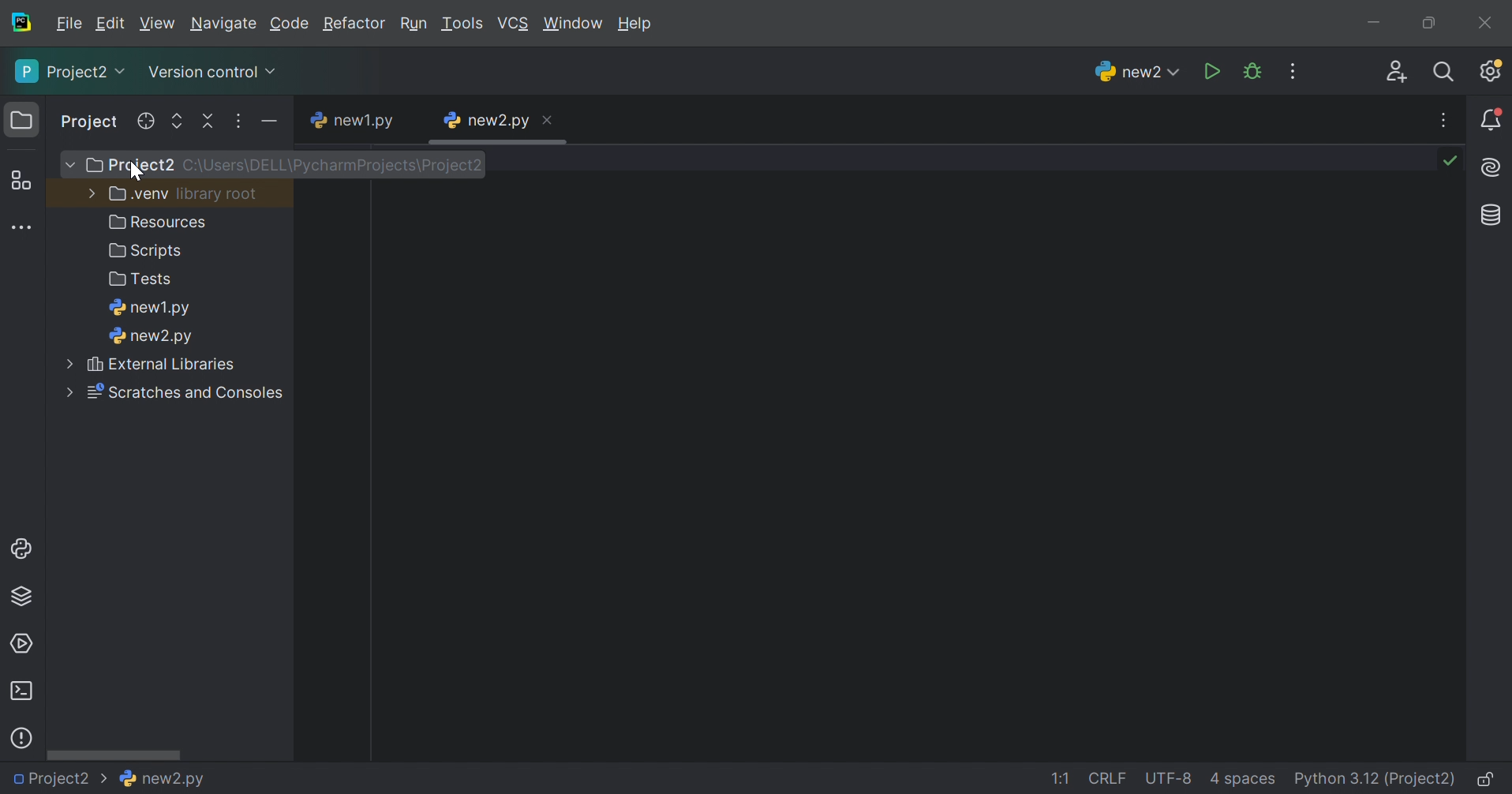 Image resolution: width=1512 pixels, height=794 pixels. What do you see at coordinates (551, 118) in the screenshot?
I see `Close` at bounding box center [551, 118].